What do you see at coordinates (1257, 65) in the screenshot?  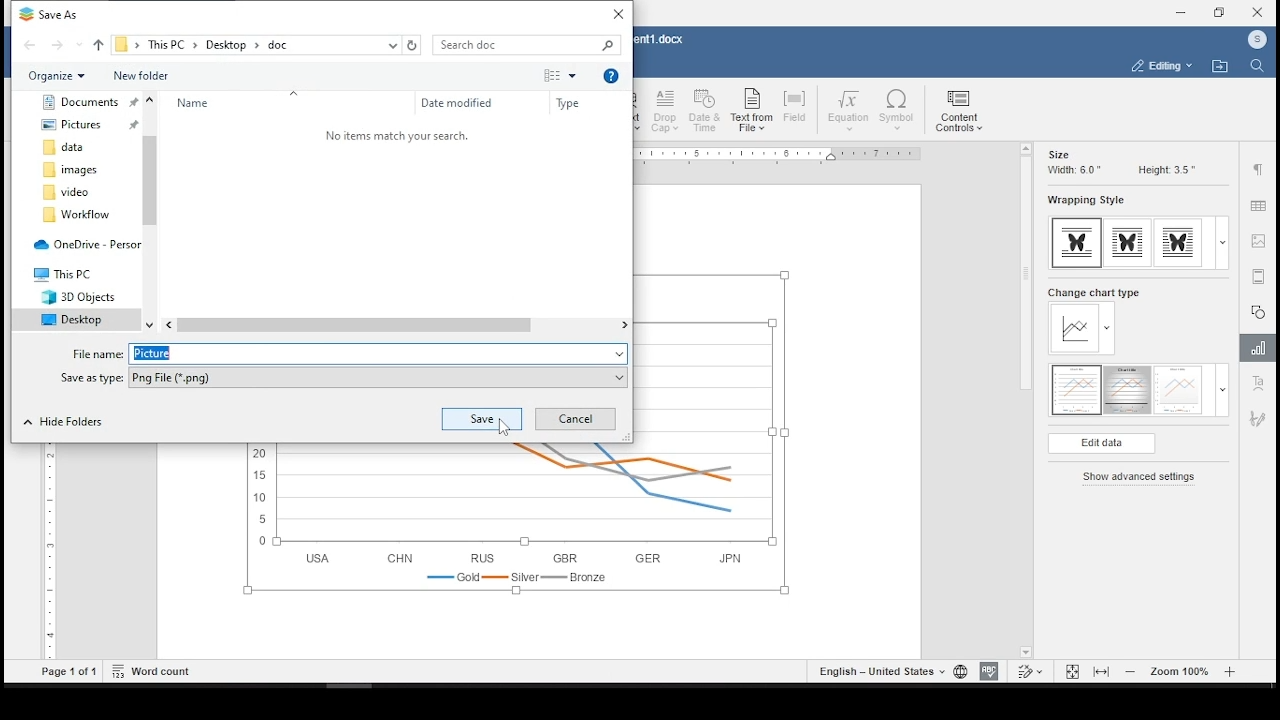 I see `find` at bounding box center [1257, 65].